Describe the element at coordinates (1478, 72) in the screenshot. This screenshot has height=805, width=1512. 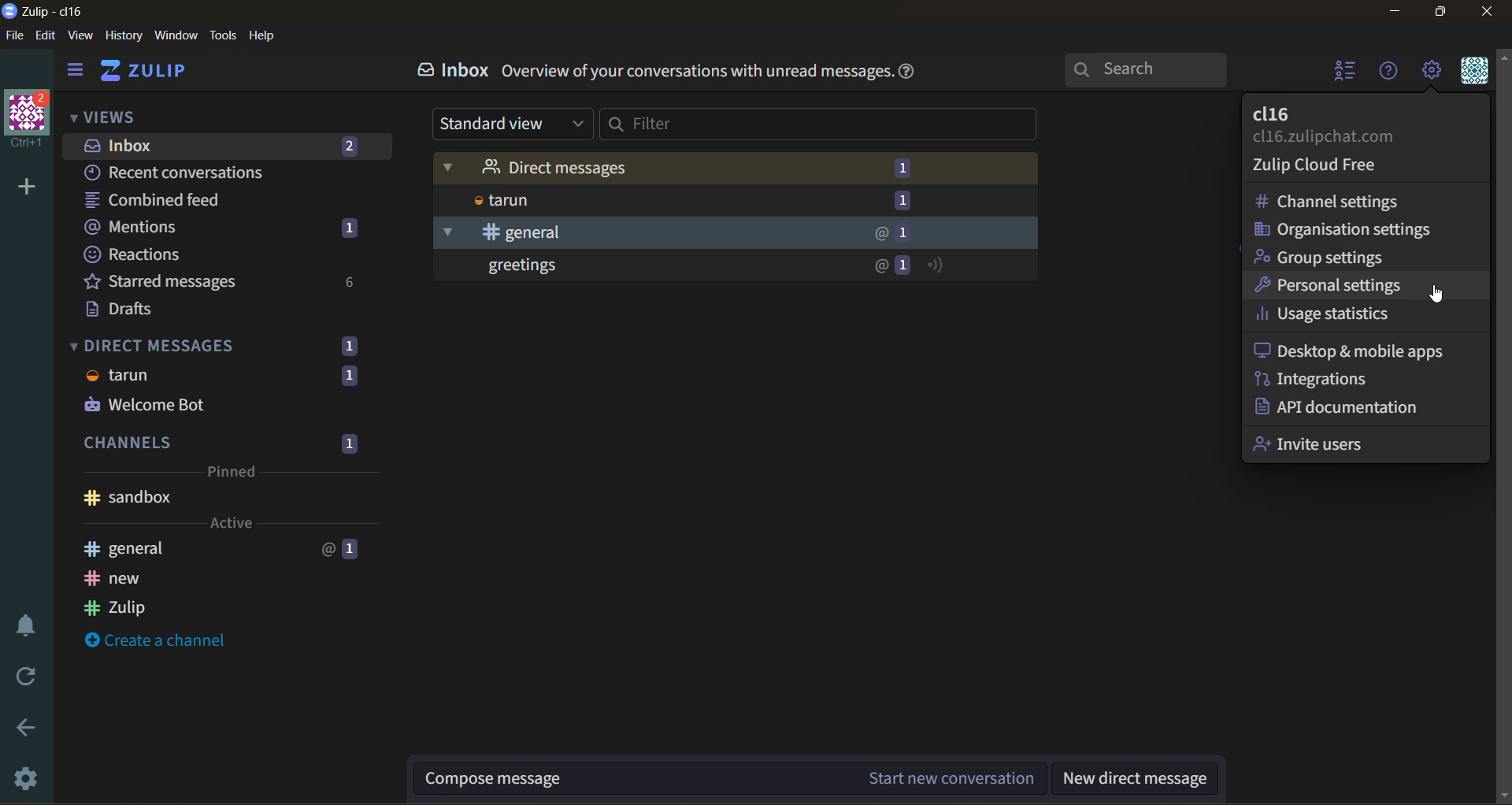
I see `personal menu` at that location.